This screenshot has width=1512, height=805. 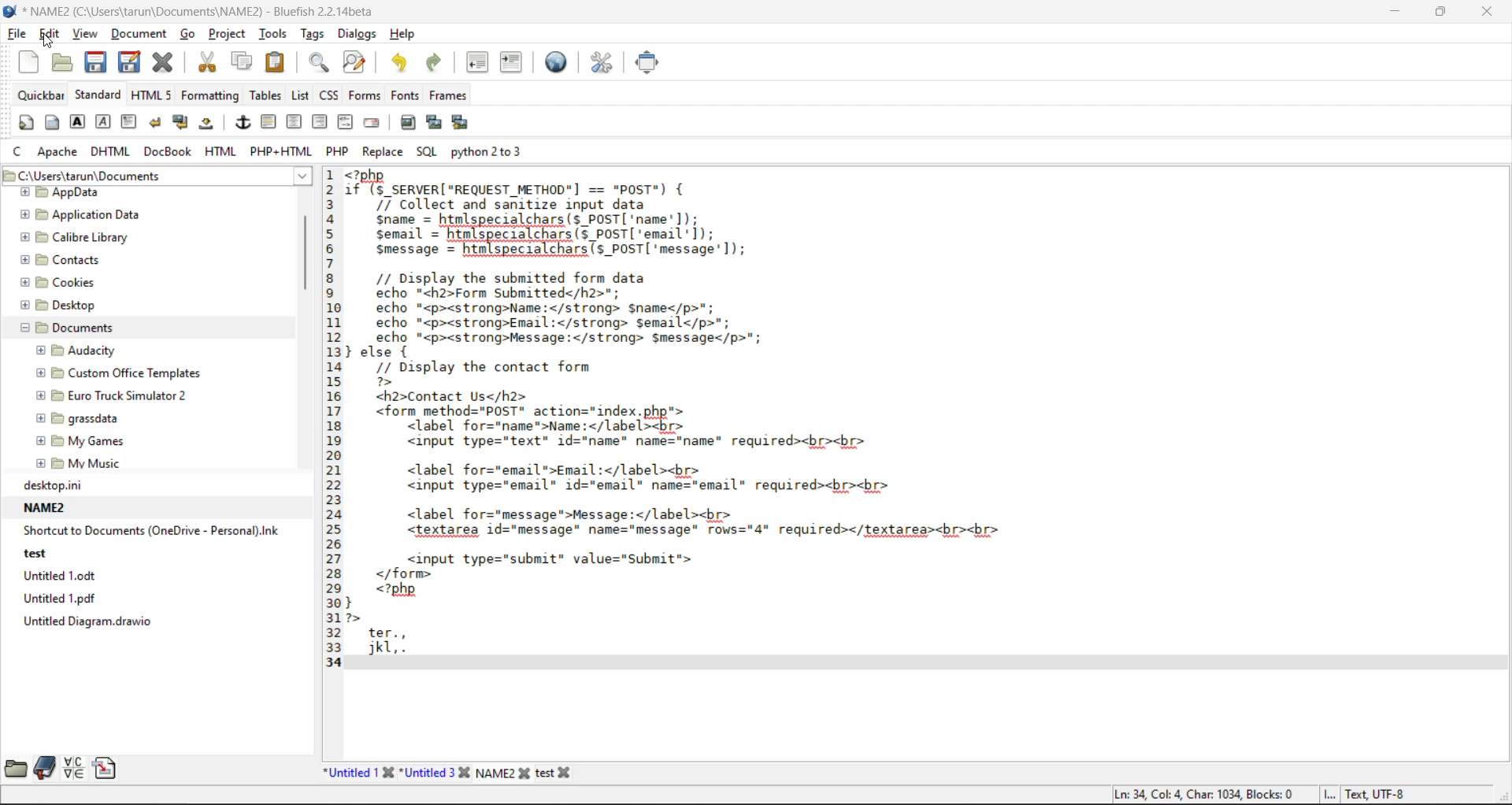 I want to click on php, so click(x=336, y=150).